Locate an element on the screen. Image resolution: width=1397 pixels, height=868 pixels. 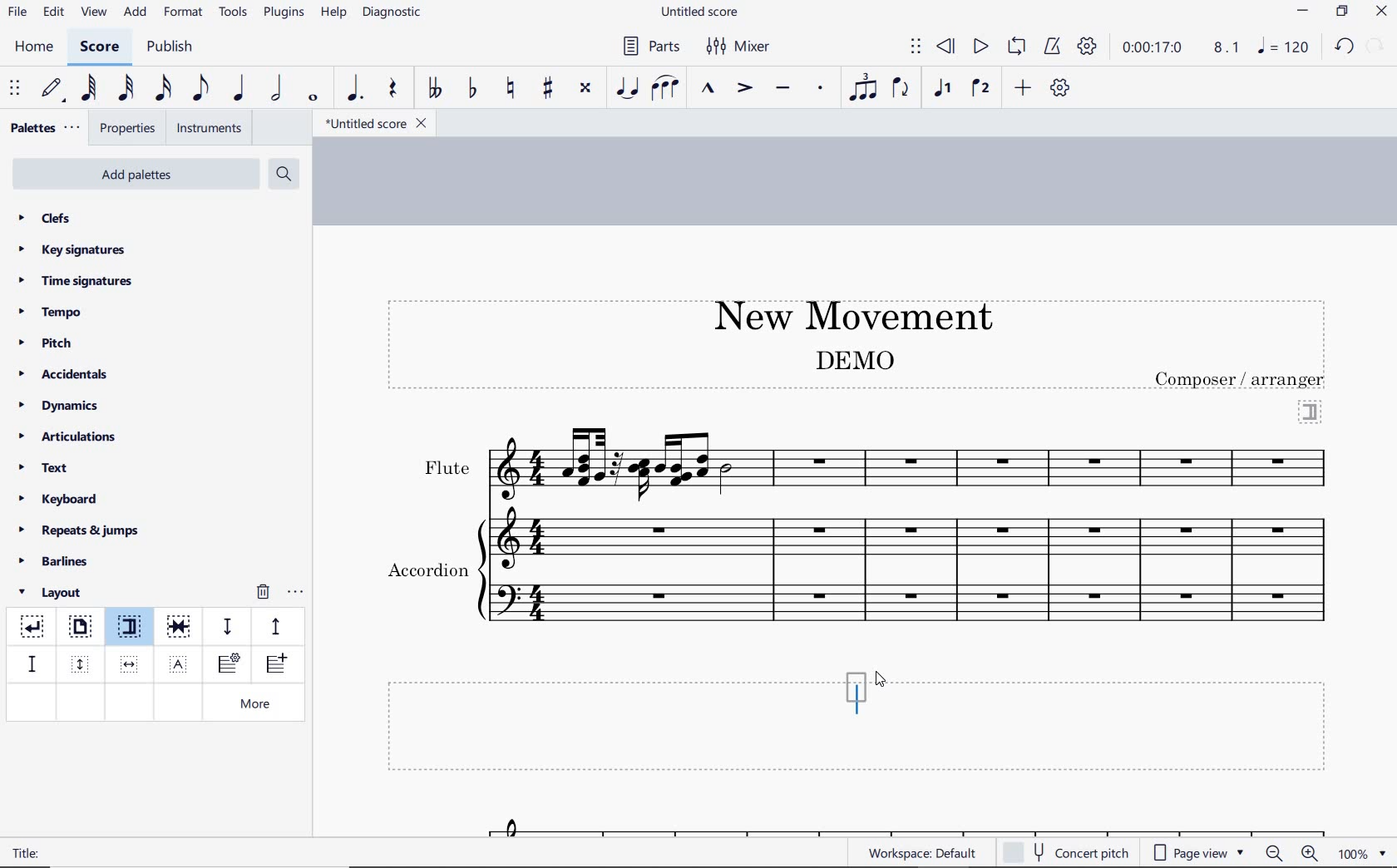
32nd note is located at coordinates (125, 89).